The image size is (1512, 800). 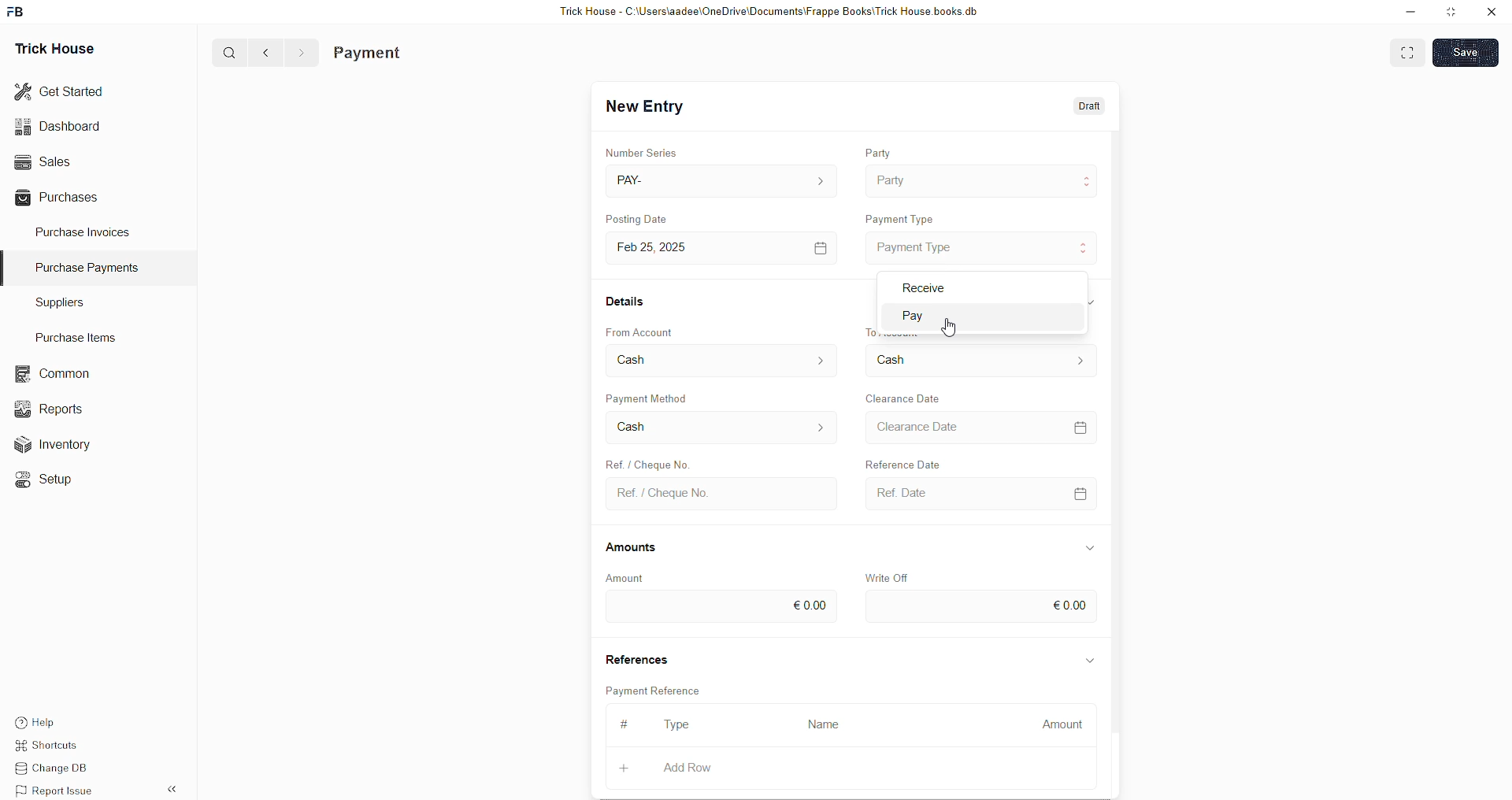 I want to click on Party, so click(x=892, y=179).